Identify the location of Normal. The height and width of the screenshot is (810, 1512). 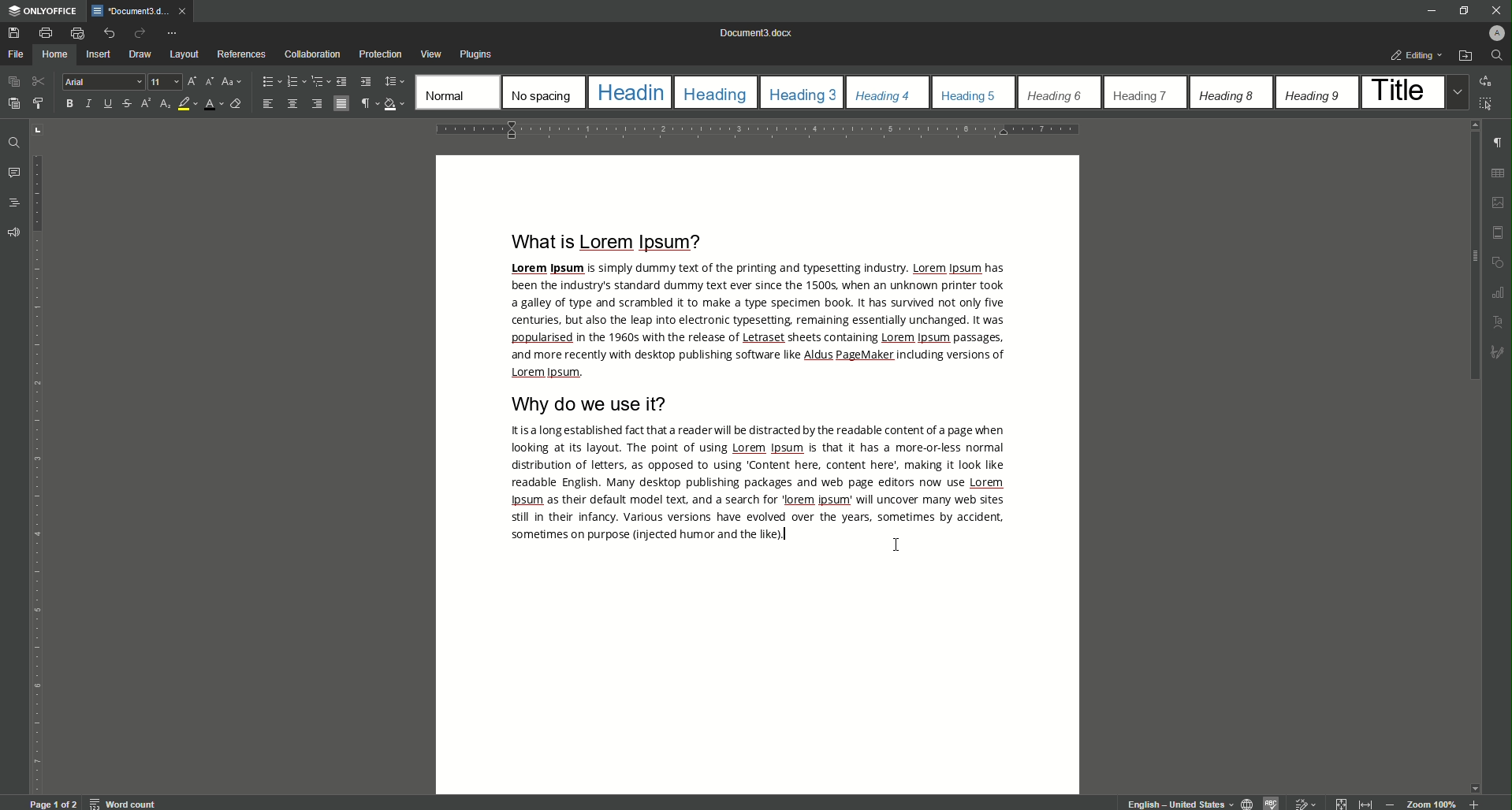
(454, 90).